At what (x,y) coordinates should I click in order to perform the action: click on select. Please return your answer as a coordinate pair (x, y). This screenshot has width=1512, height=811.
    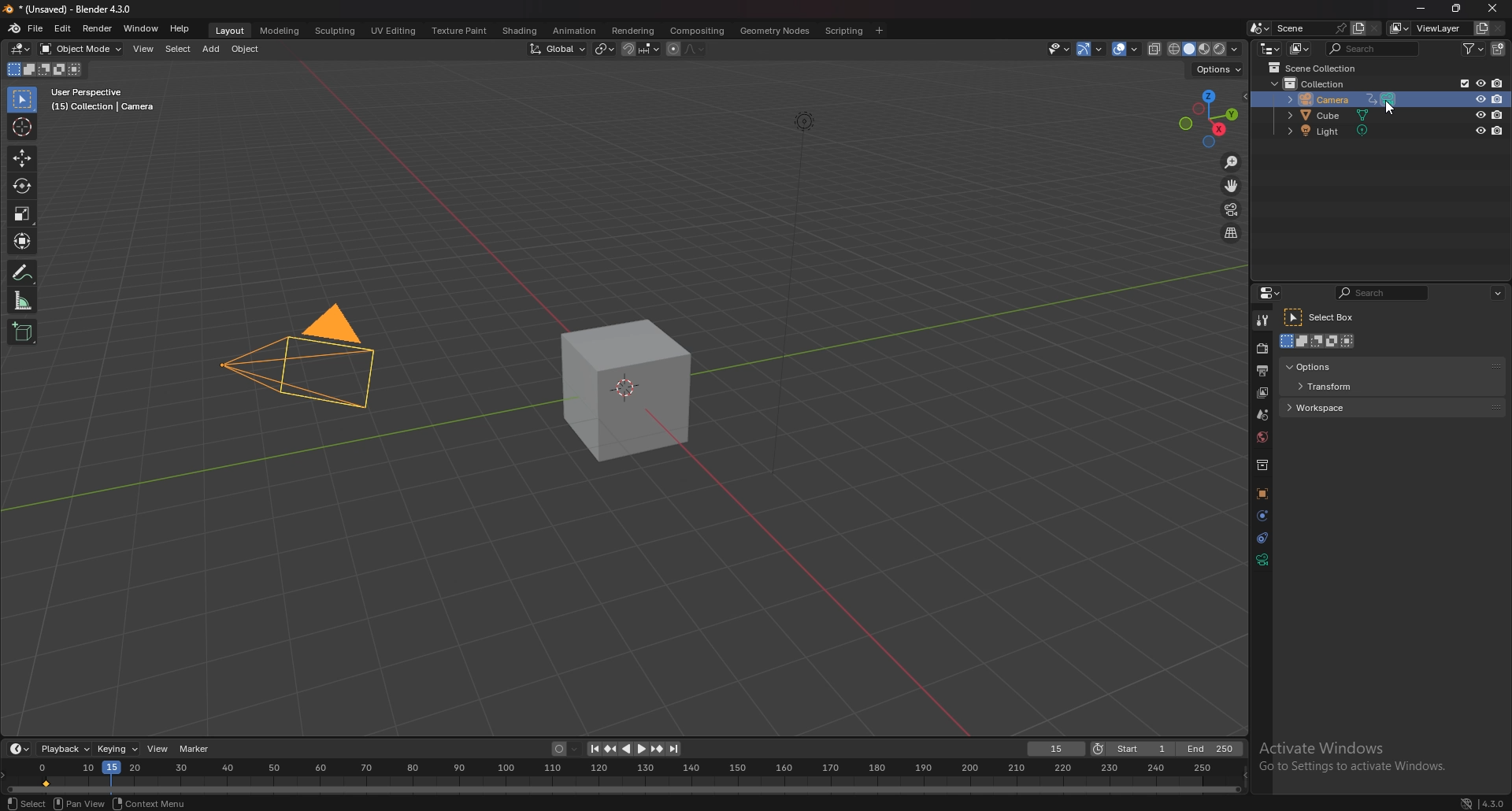
    Looking at the image, I should click on (176, 49).